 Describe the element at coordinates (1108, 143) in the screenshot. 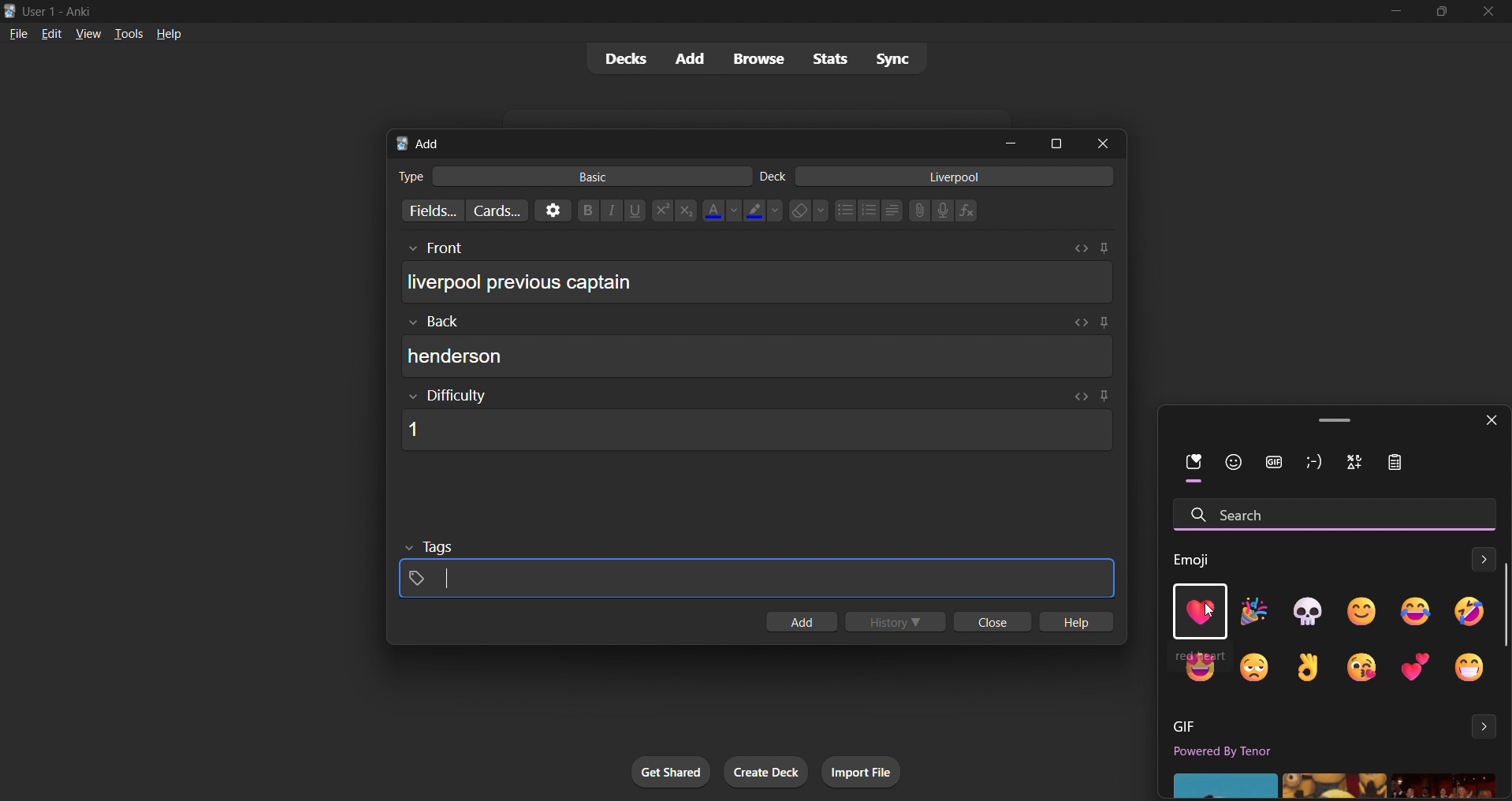

I see `close` at that location.